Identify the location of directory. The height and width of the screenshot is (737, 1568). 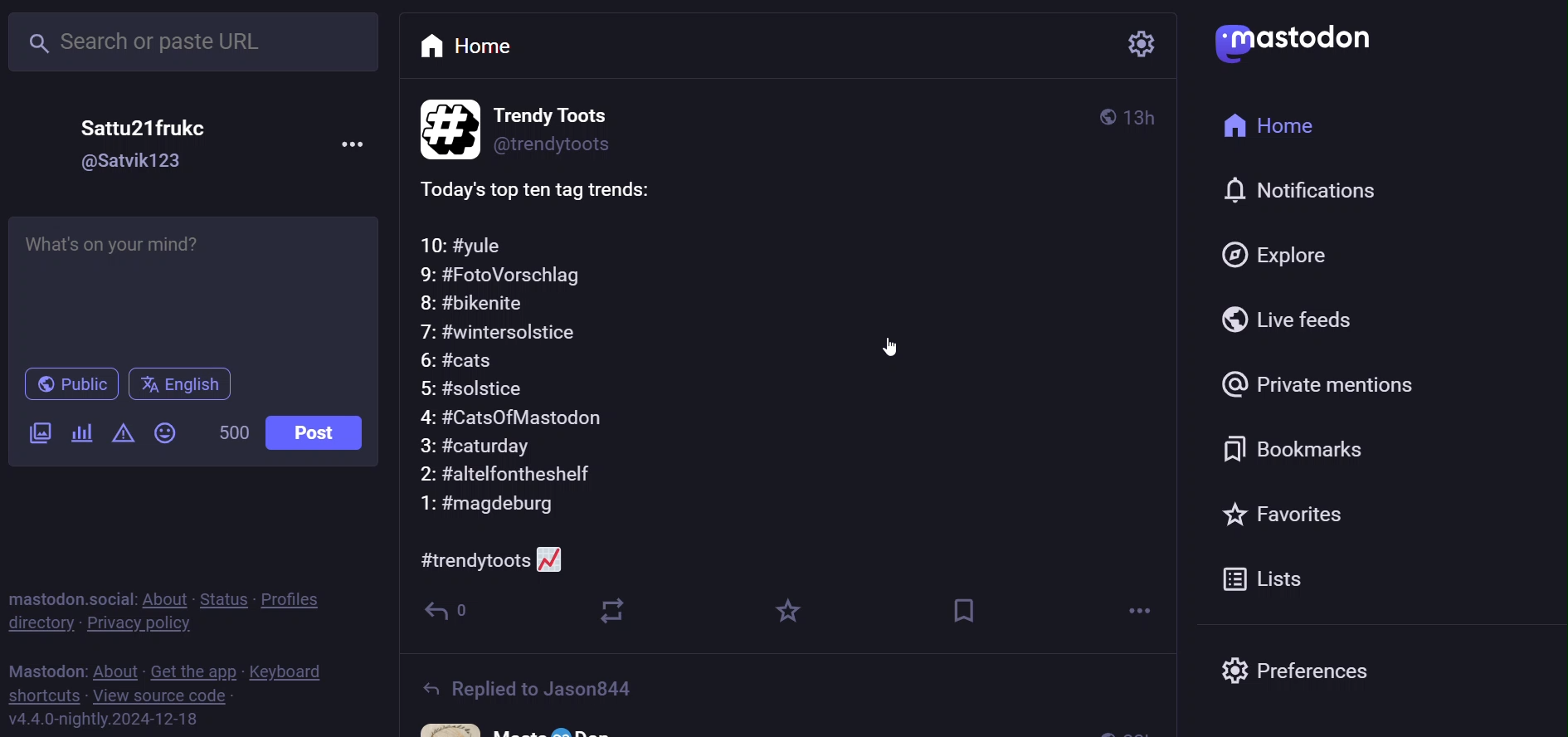
(43, 622).